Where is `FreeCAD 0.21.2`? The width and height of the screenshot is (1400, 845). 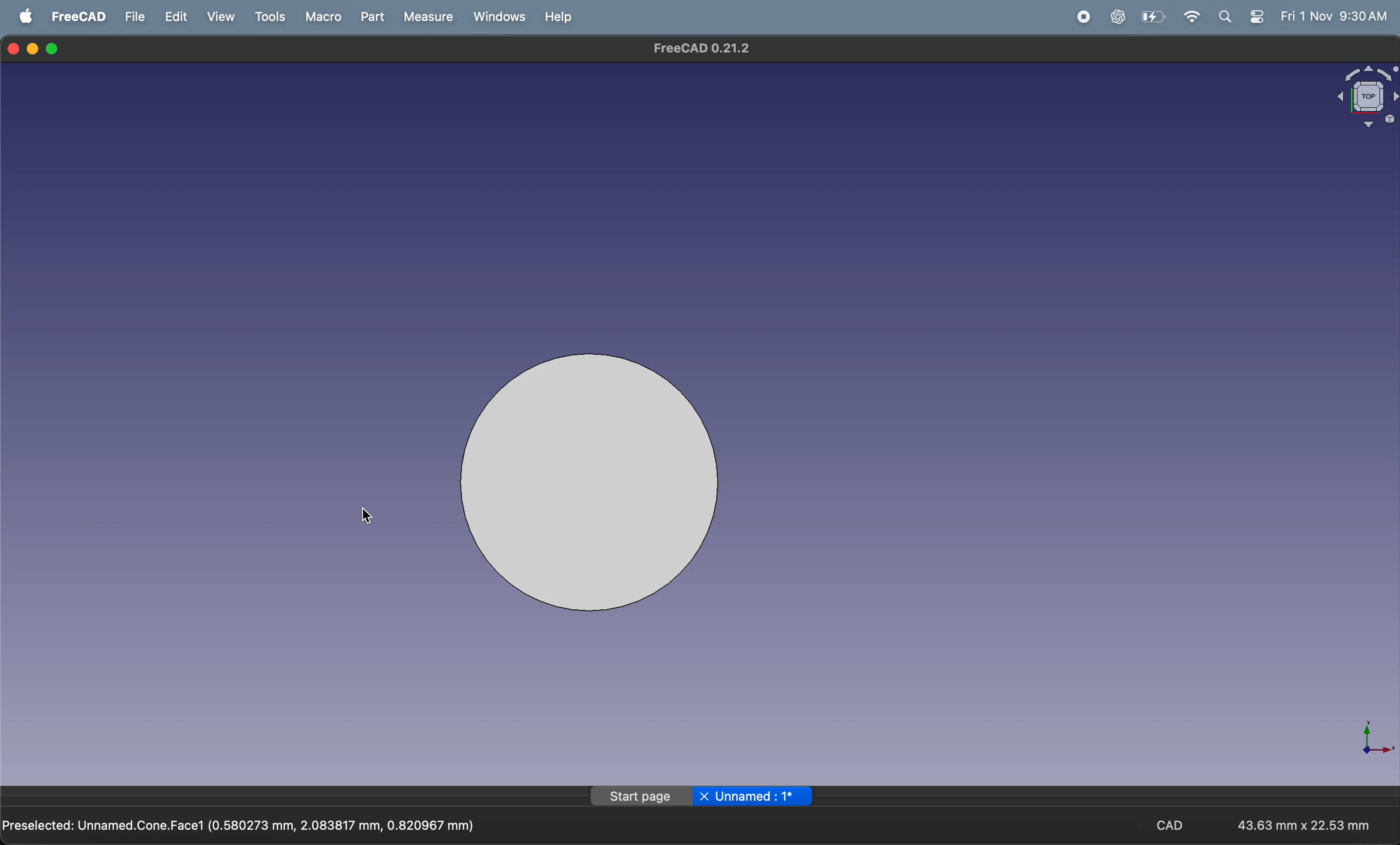 FreeCAD 0.21.2 is located at coordinates (698, 48).